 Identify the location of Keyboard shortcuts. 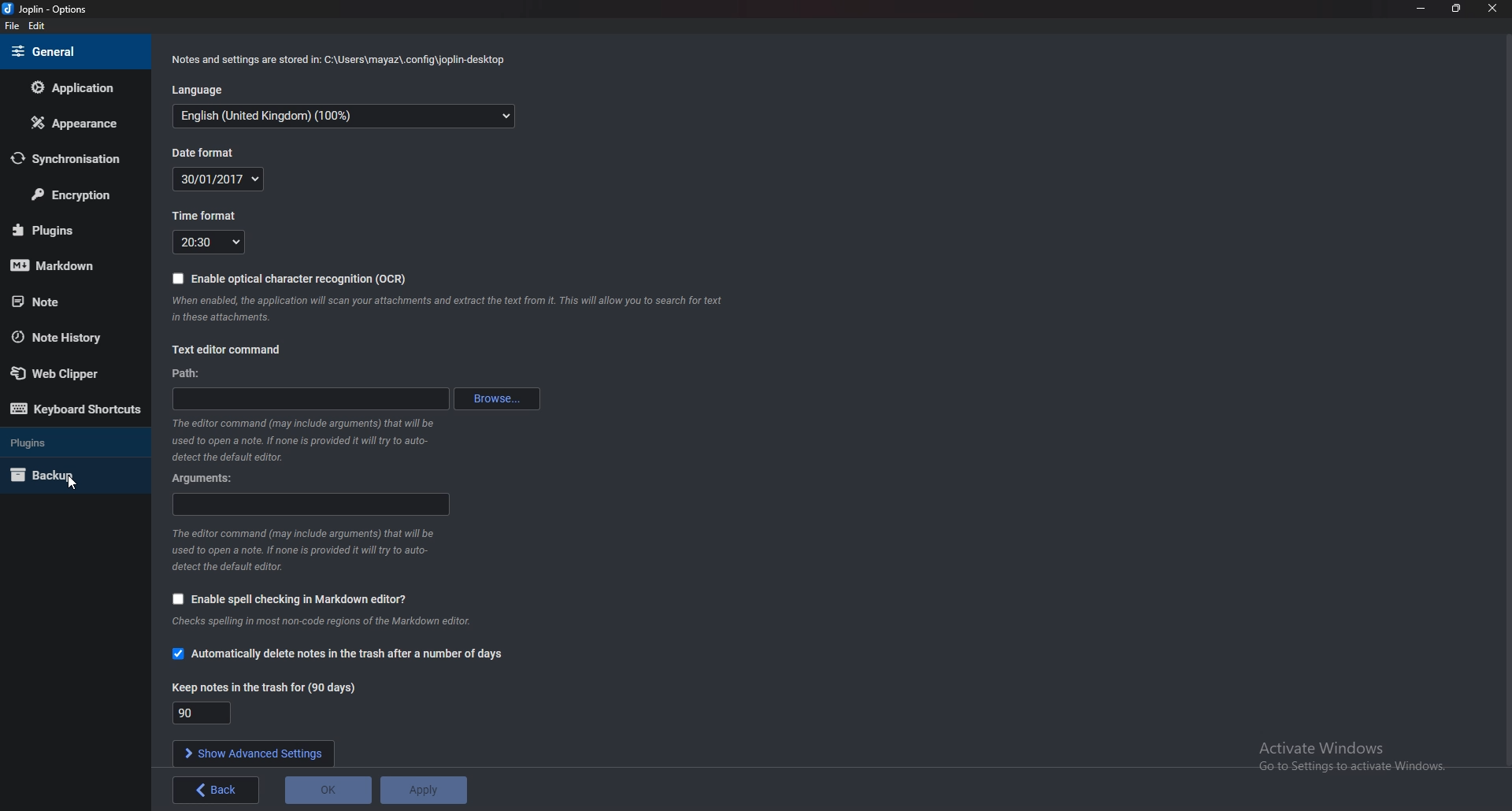
(72, 409).